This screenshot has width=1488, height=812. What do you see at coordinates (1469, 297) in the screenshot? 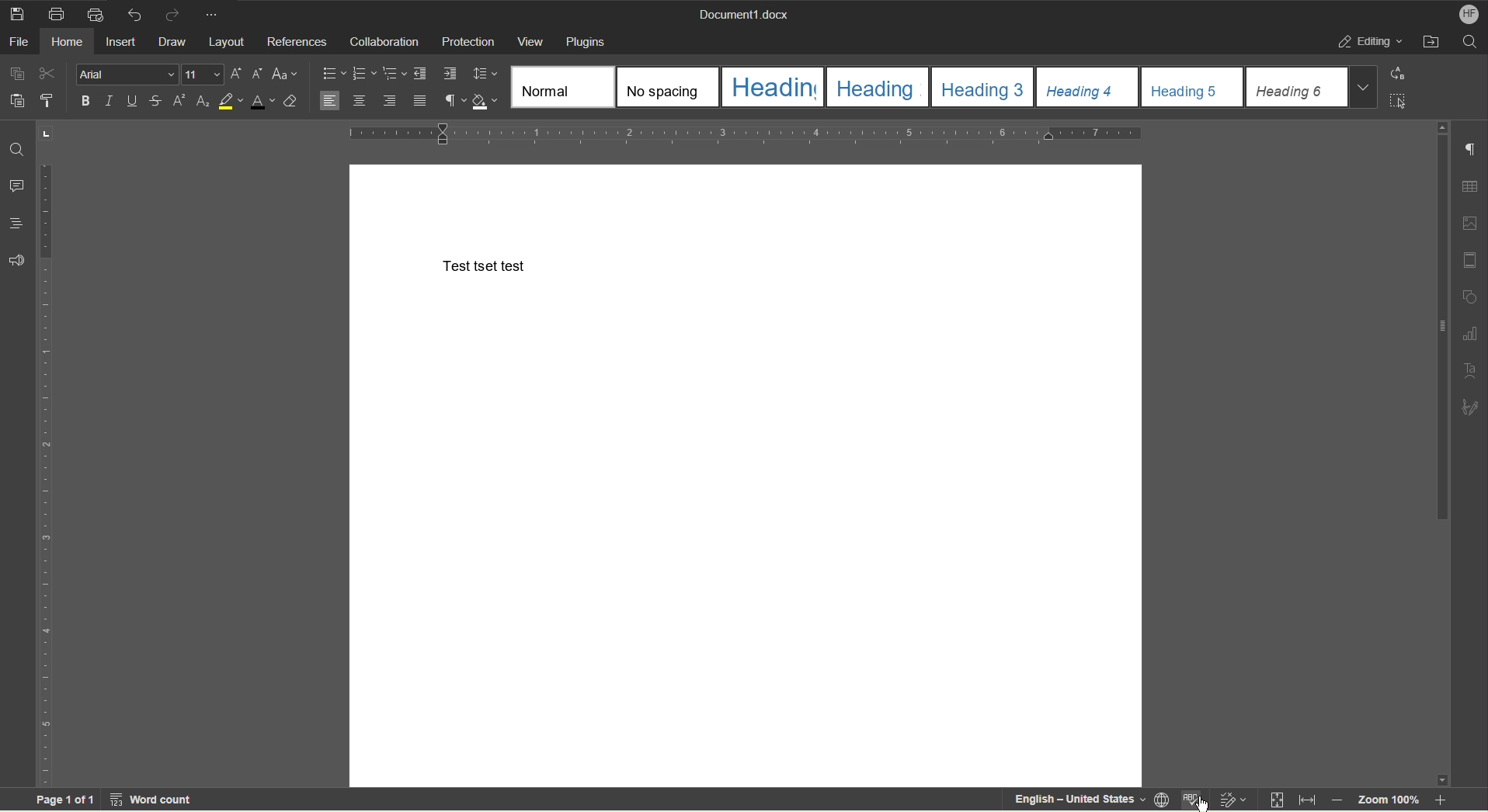
I see `Shape Settings` at bounding box center [1469, 297].